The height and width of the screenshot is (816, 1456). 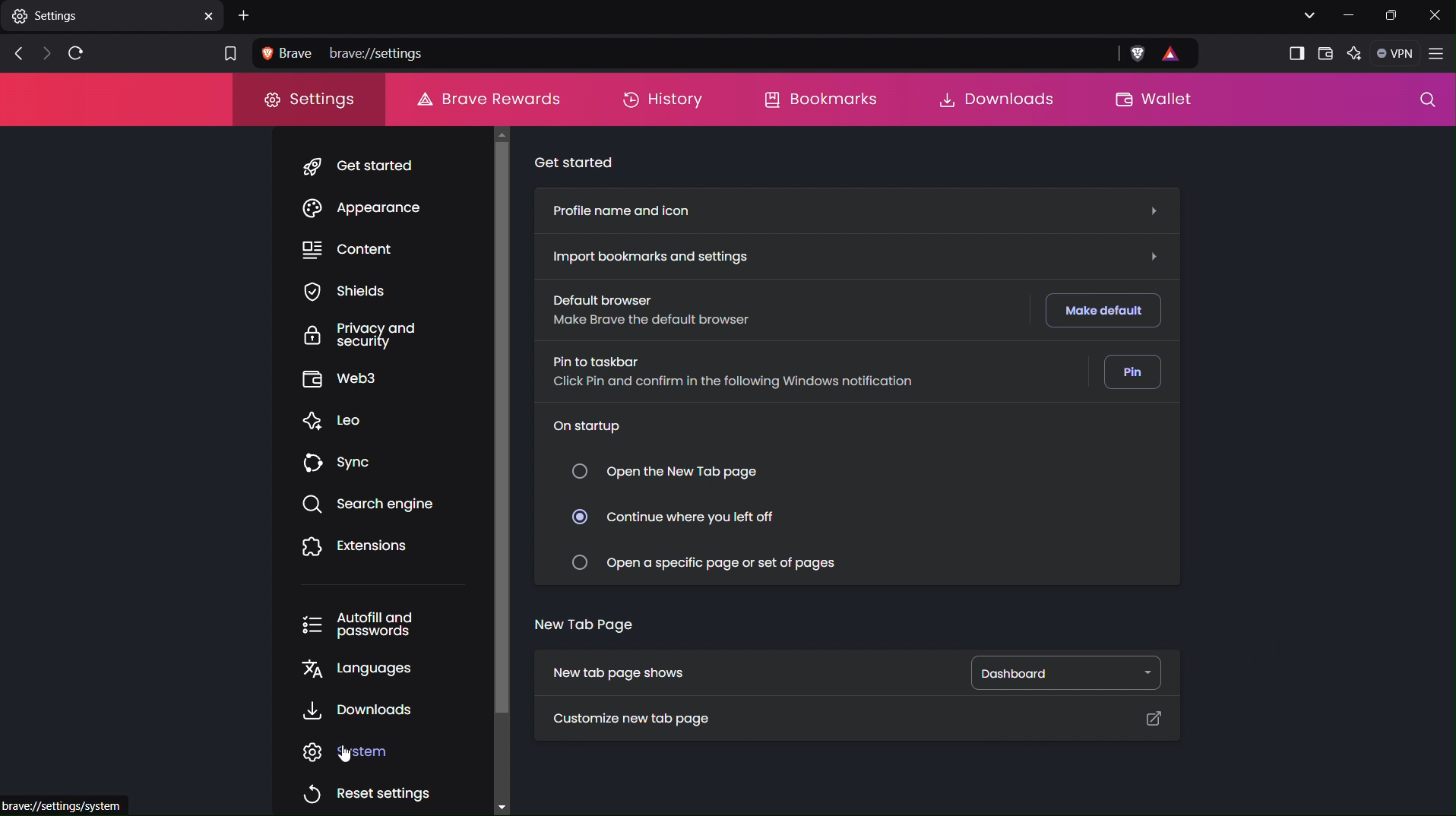 What do you see at coordinates (593, 428) in the screenshot?
I see `On startup` at bounding box center [593, 428].